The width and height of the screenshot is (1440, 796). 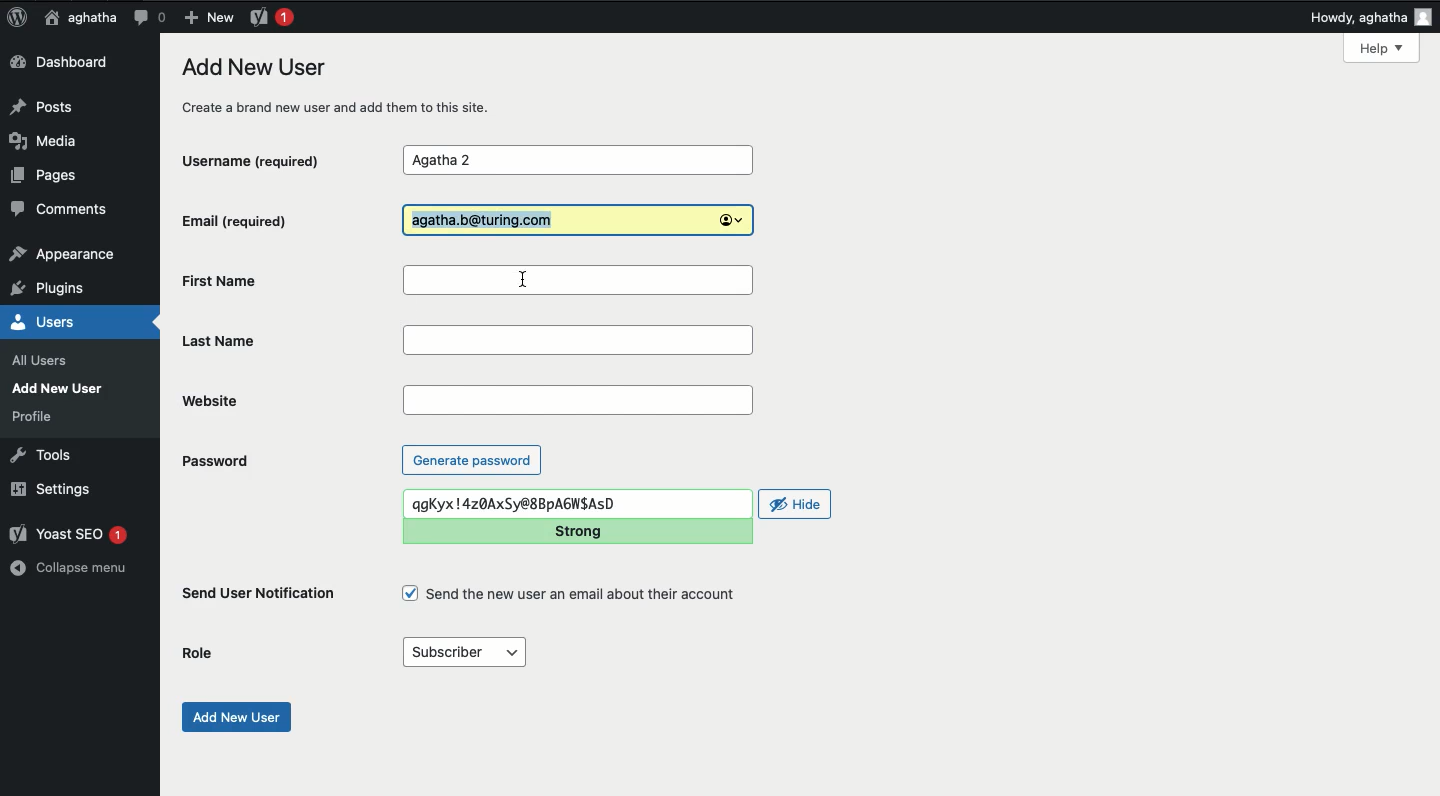 I want to click on Howdy, aghatha, so click(x=1371, y=17).